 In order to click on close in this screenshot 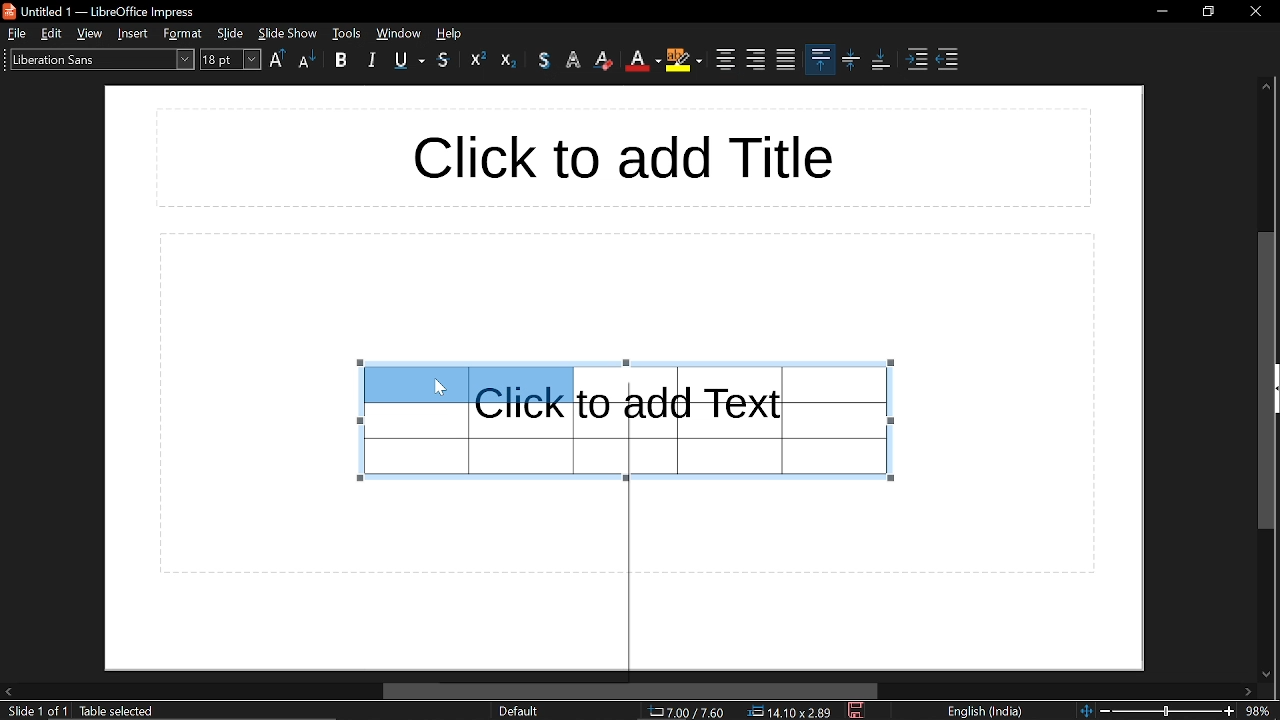, I will do `click(1254, 9)`.